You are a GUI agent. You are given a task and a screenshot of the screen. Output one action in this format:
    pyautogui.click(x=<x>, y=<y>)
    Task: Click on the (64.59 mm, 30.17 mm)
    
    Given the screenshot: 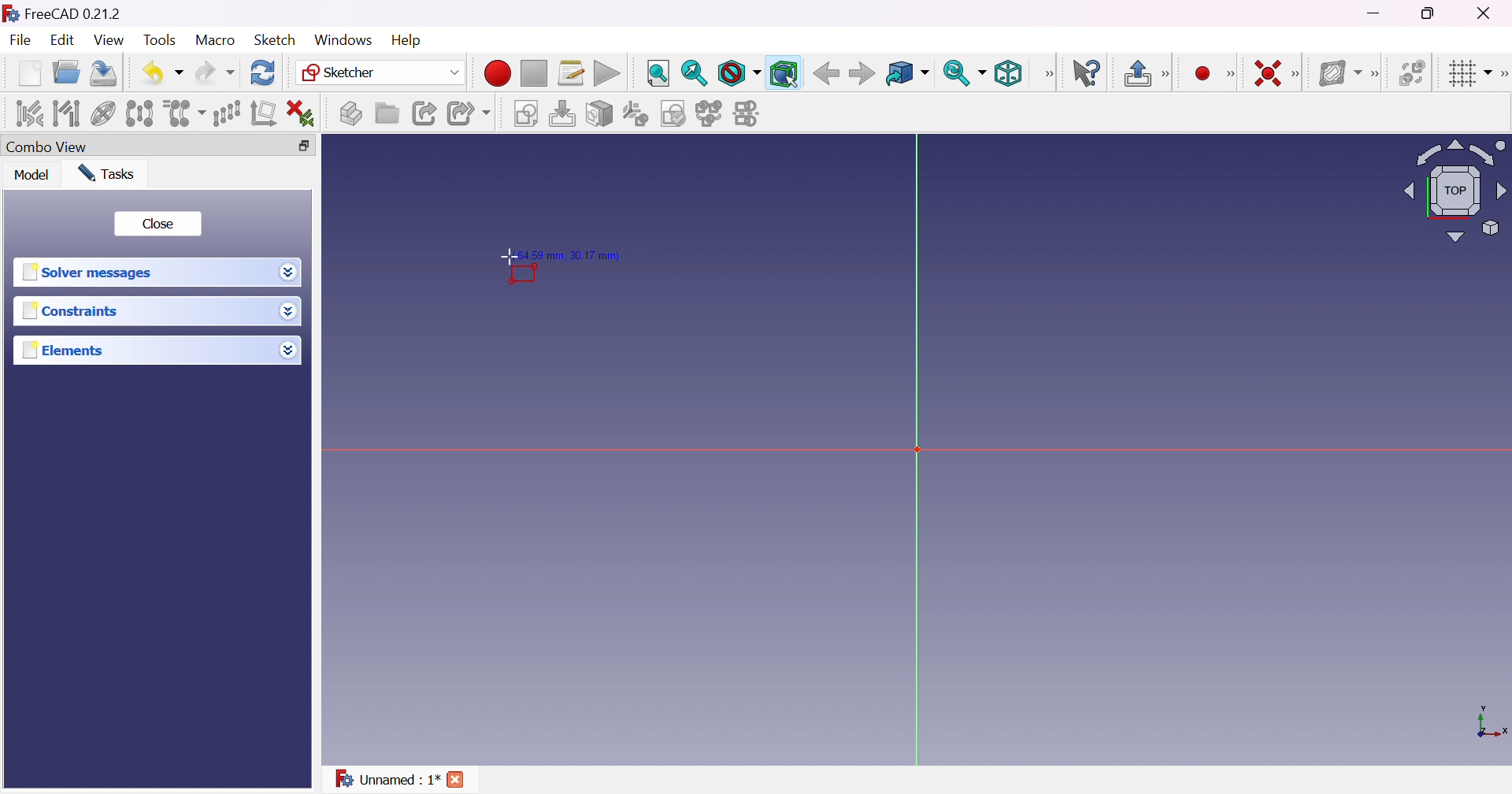 What is the action you would take?
    pyautogui.click(x=571, y=254)
    